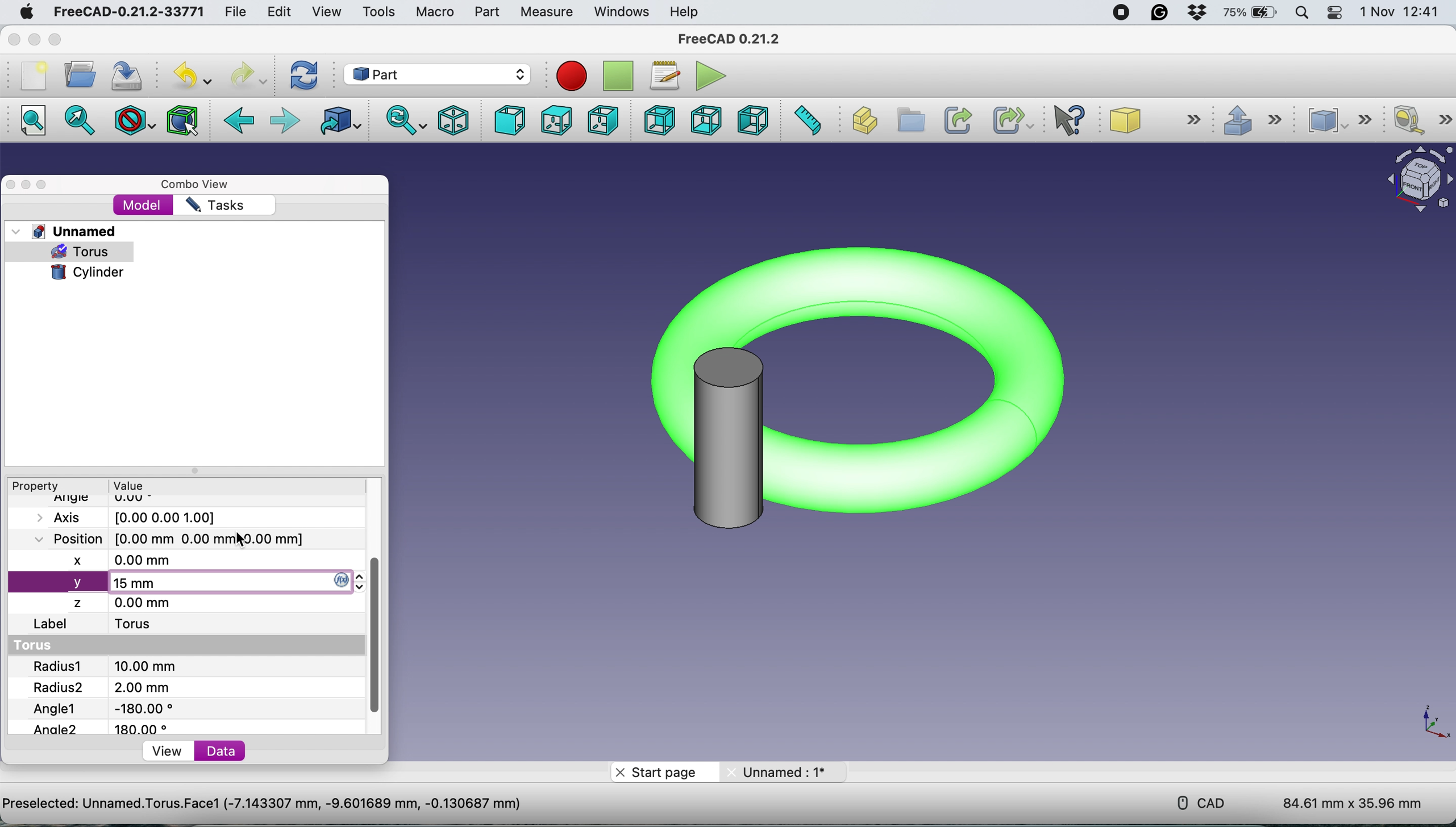 This screenshot has width=1456, height=827. What do you see at coordinates (125, 603) in the screenshot?
I see `z axis` at bounding box center [125, 603].